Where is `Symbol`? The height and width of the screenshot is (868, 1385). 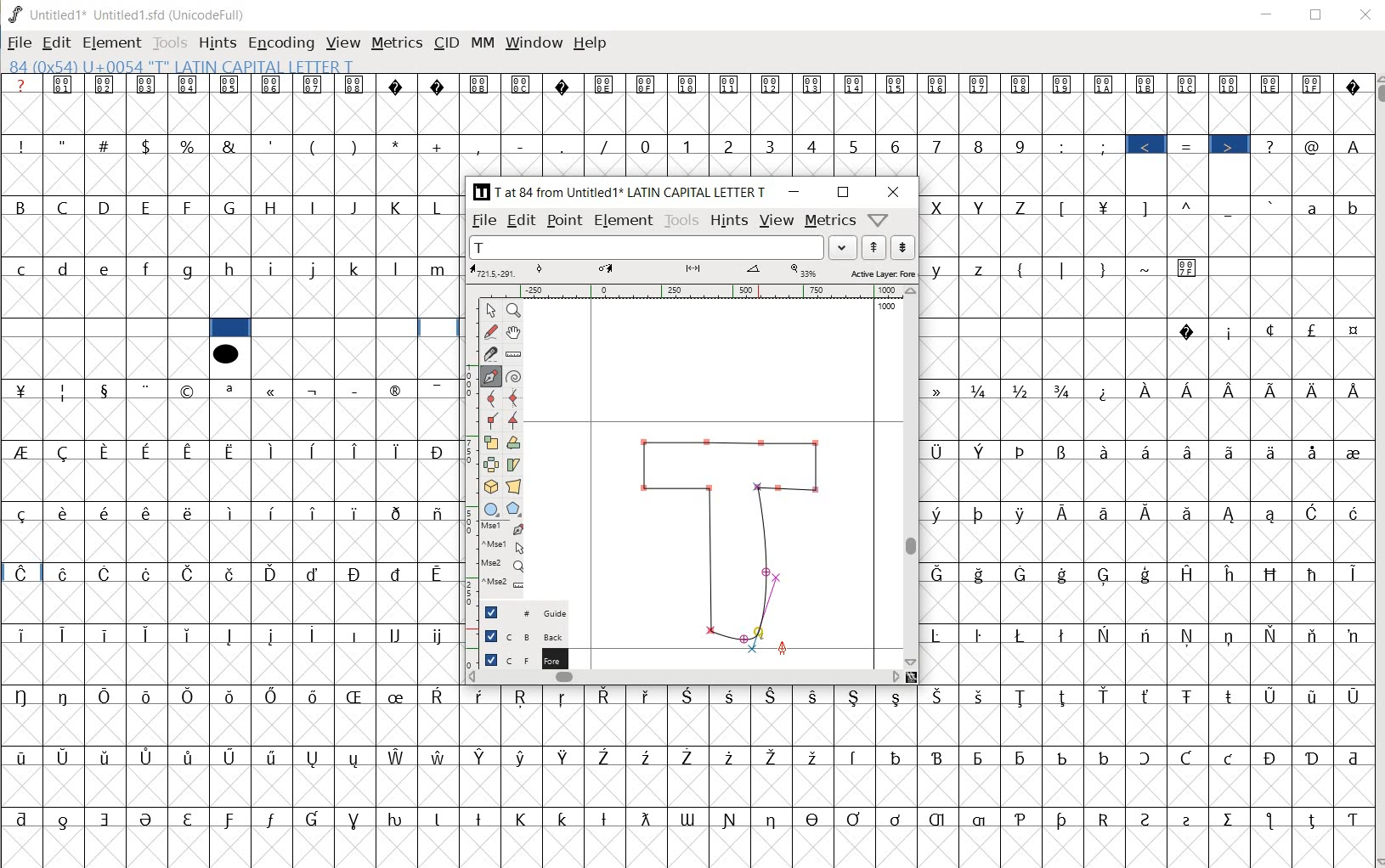
Symbol is located at coordinates (396, 512).